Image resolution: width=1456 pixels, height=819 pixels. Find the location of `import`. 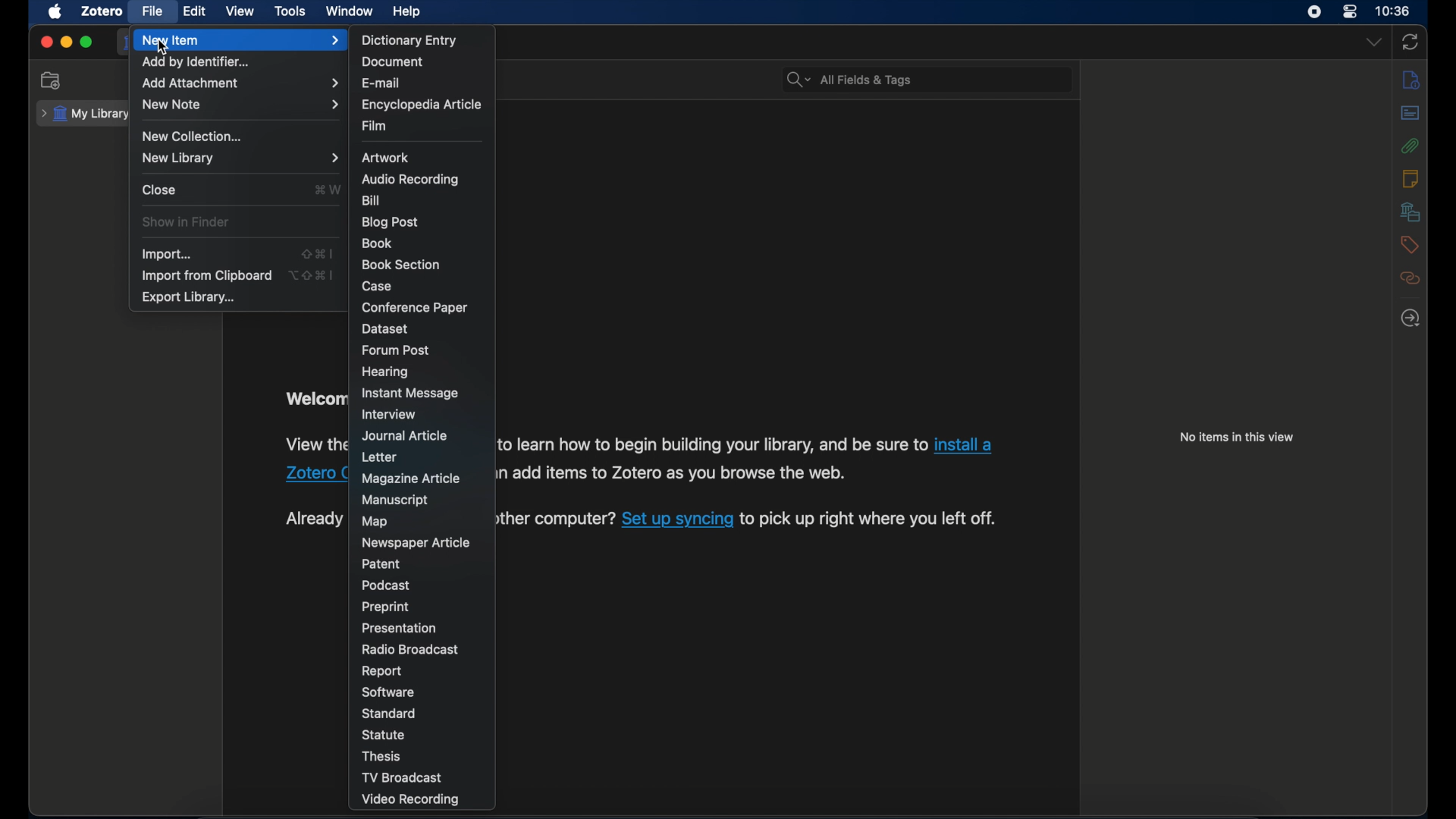

import is located at coordinates (167, 255).